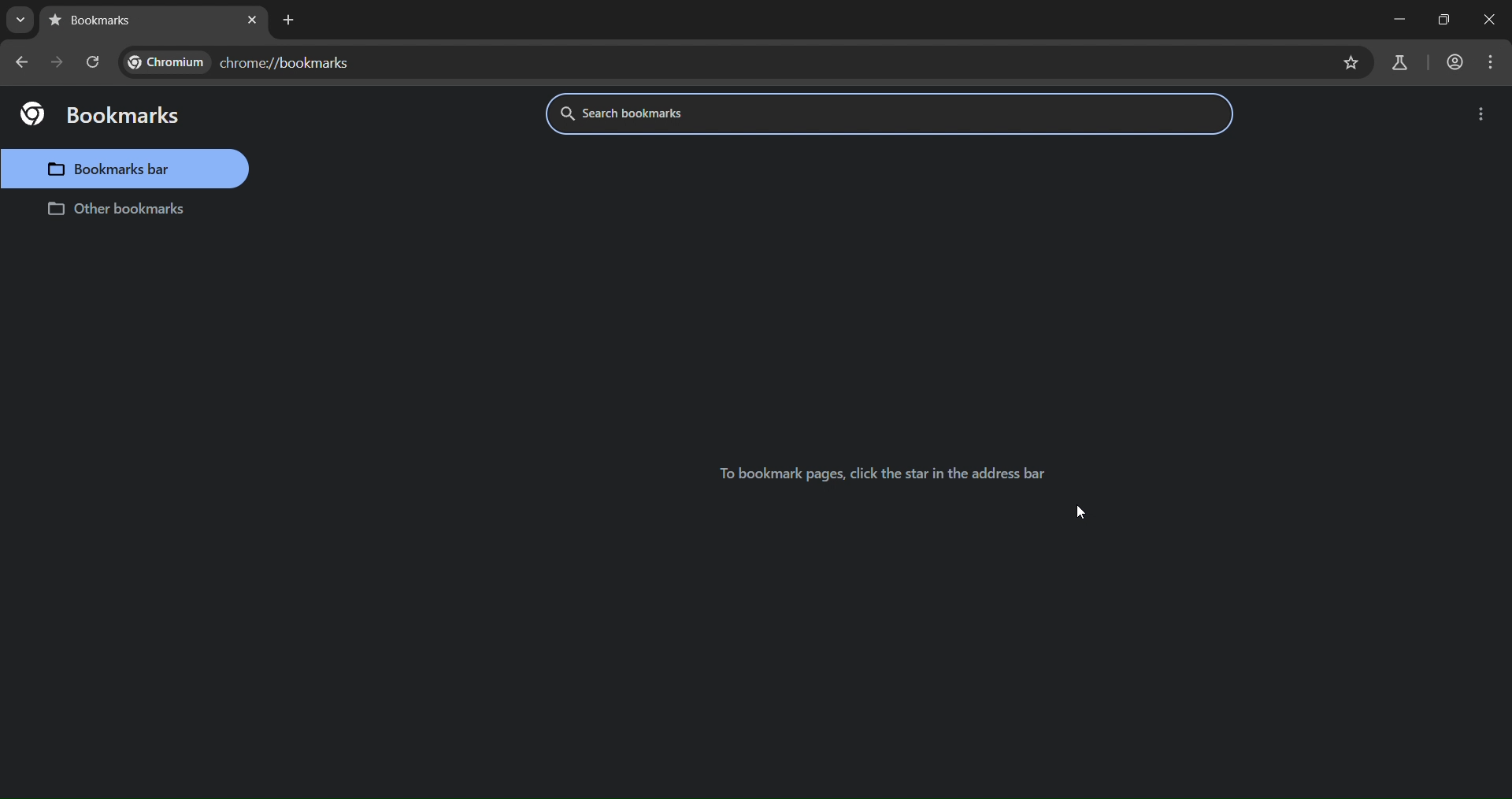 Image resolution: width=1512 pixels, height=799 pixels. I want to click on go forward one page, so click(57, 65).